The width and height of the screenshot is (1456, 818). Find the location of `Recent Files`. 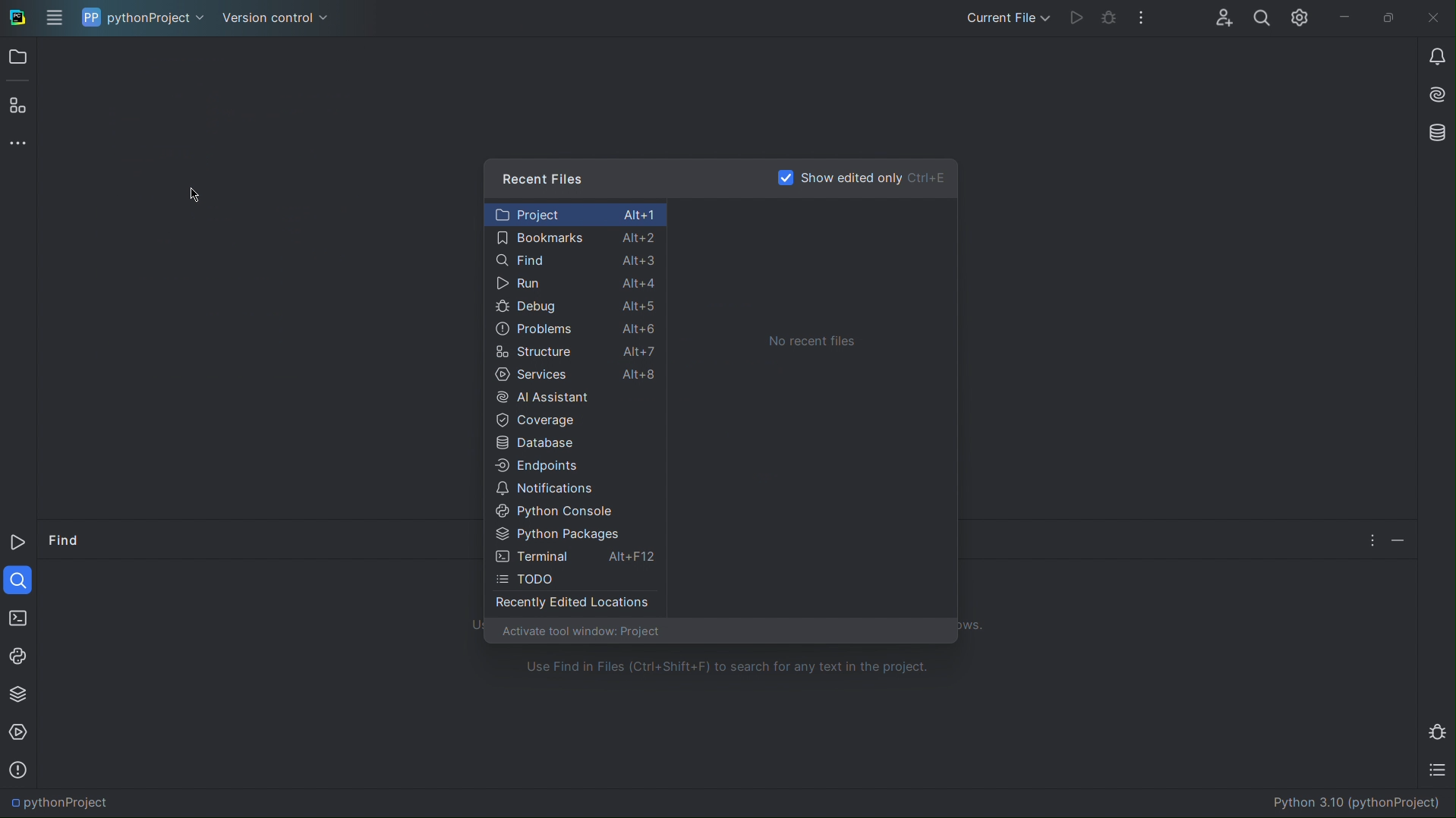

Recent Files is located at coordinates (546, 177).